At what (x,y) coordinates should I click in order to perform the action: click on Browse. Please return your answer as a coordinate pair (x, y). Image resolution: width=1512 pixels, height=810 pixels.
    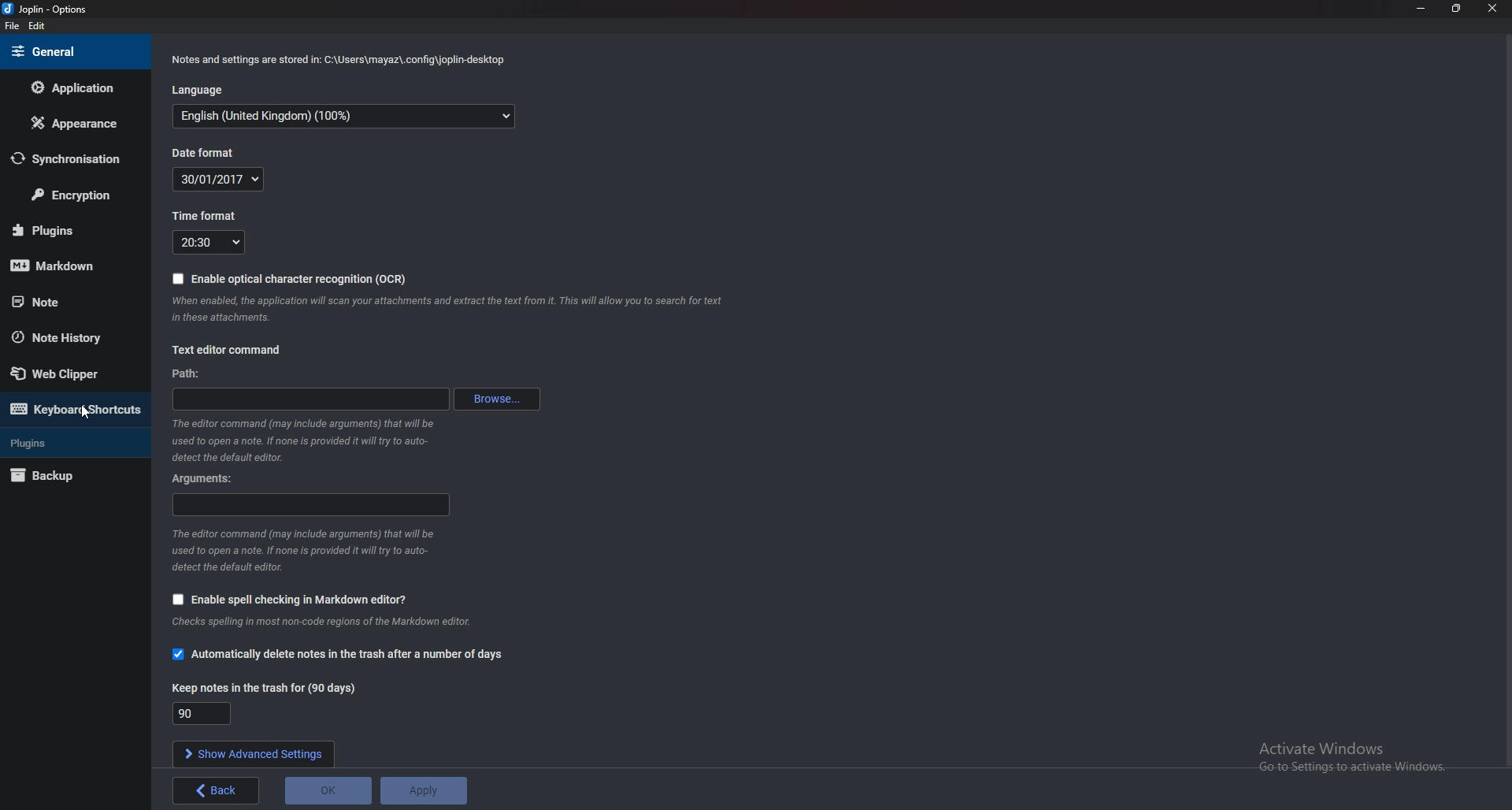
    Looking at the image, I should click on (498, 399).